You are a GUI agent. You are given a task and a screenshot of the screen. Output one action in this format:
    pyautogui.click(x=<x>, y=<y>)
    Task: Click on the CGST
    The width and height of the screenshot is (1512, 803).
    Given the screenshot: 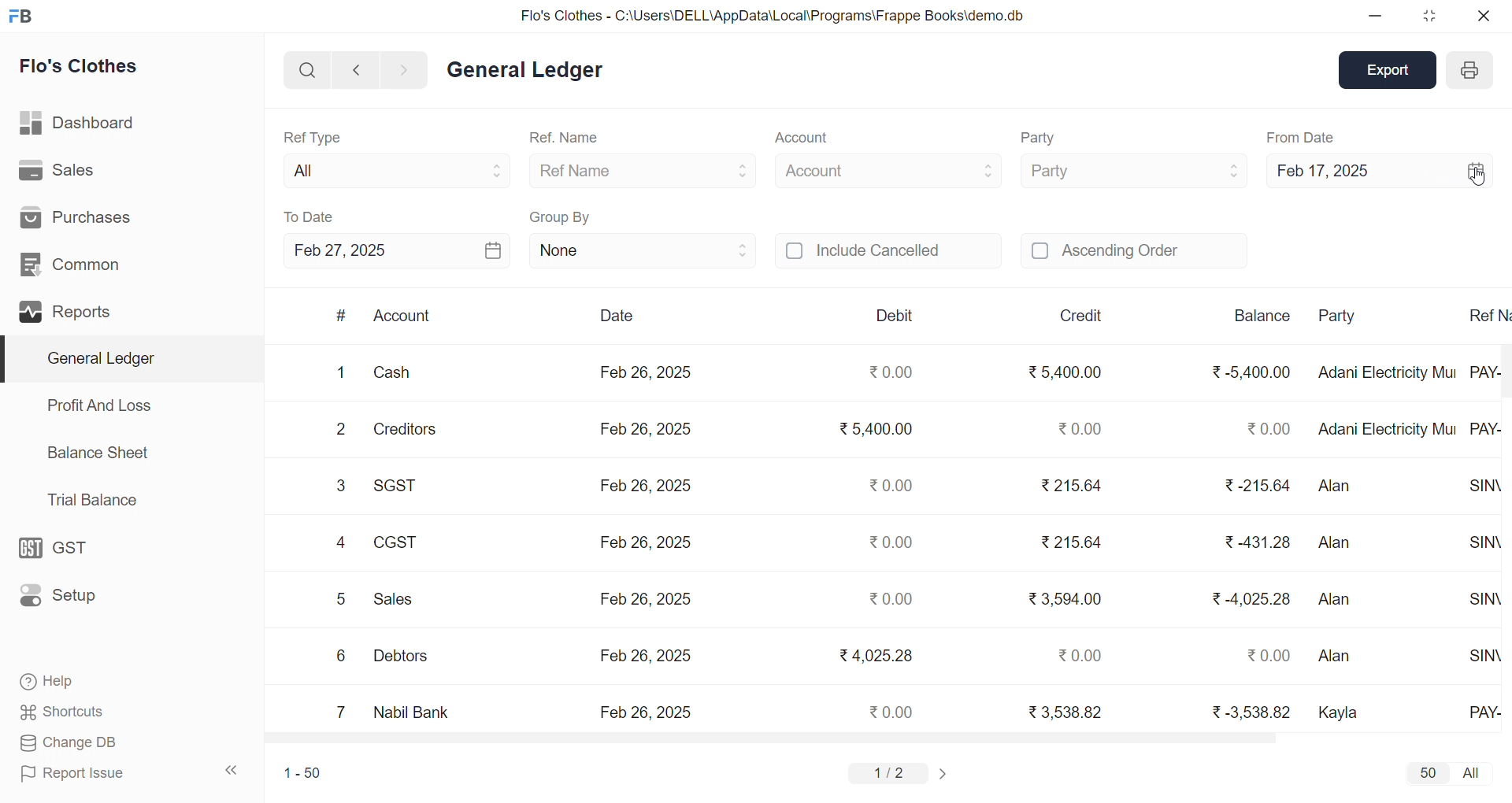 What is the action you would take?
    pyautogui.click(x=395, y=542)
    